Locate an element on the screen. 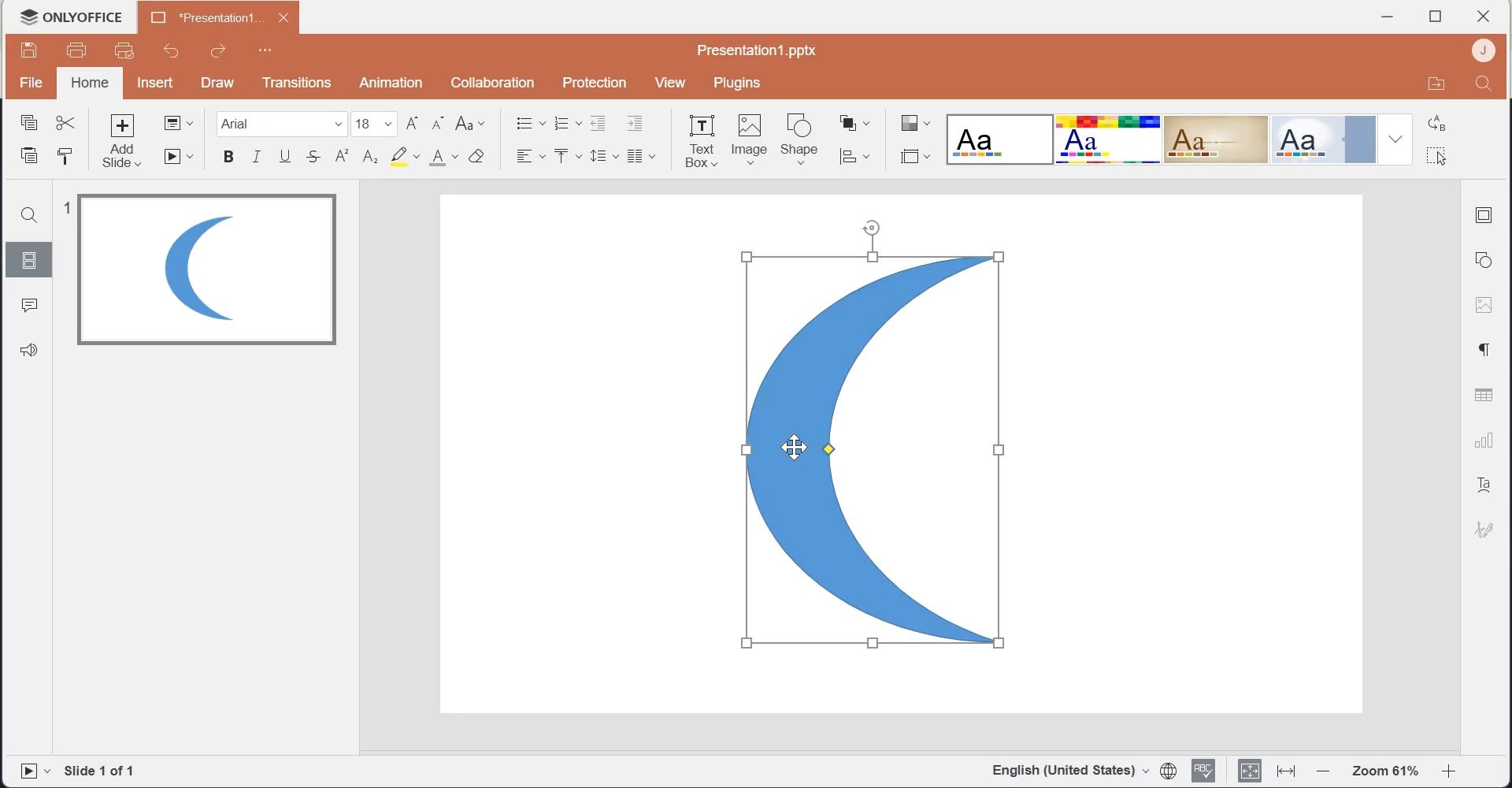 The height and width of the screenshot is (788, 1512). Decrement font size is located at coordinates (439, 124).